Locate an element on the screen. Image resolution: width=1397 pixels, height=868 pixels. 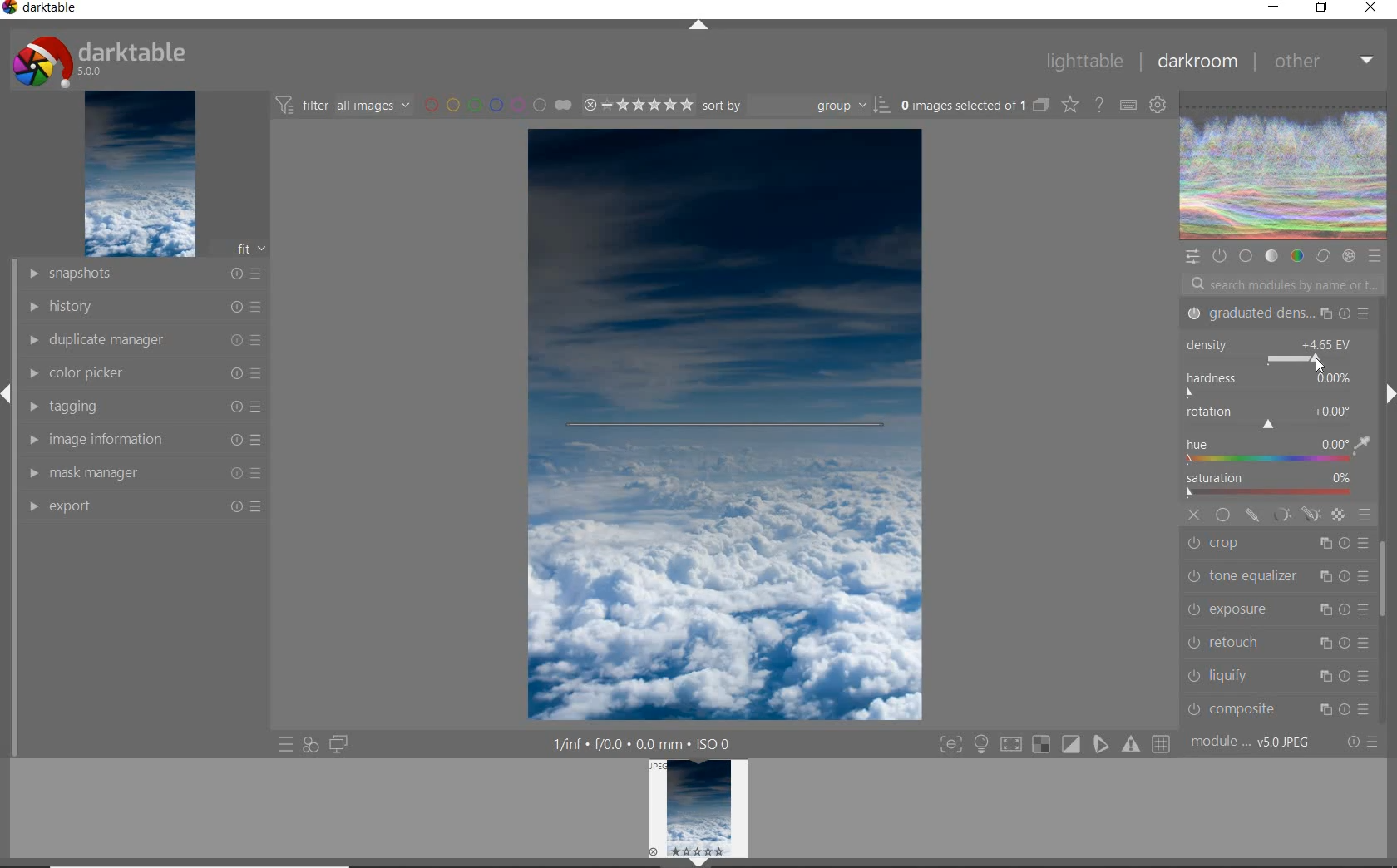
Up is located at coordinates (698, 27).